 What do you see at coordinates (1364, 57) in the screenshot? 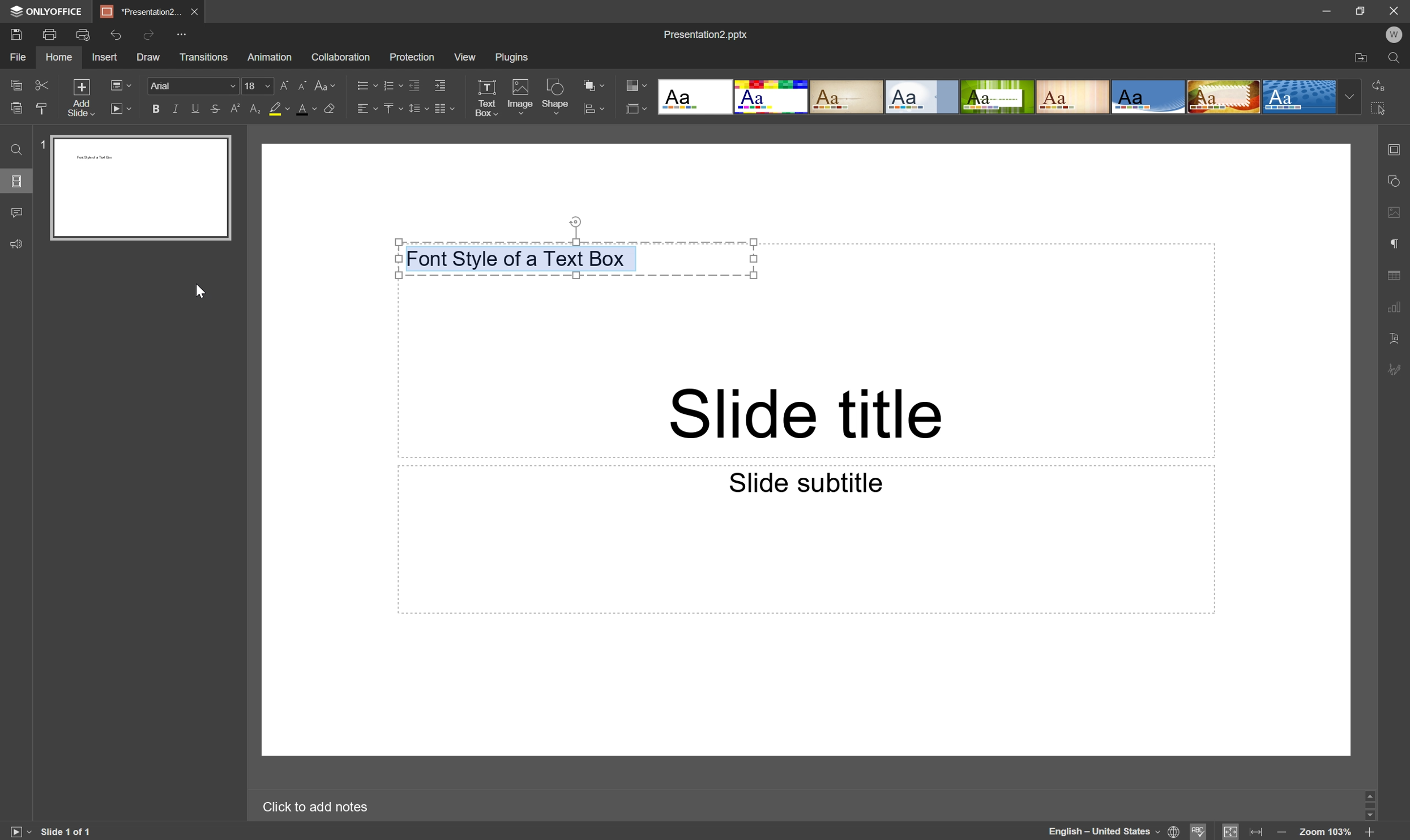
I see `Open file location` at bounding box center [1364, 57].